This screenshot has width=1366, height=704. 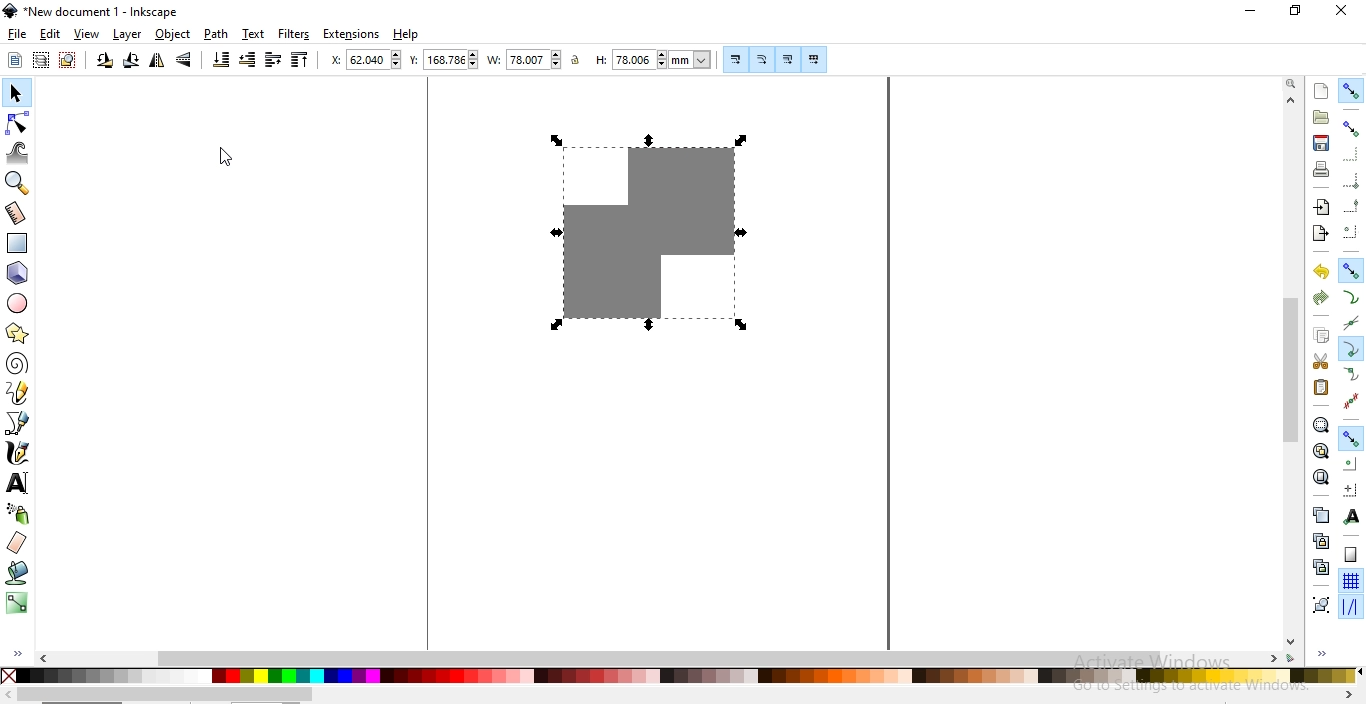 What do you see at coordinates (272, 59) in the screenshot?
I see `raise selection one step` at bounding box center [272, 59].